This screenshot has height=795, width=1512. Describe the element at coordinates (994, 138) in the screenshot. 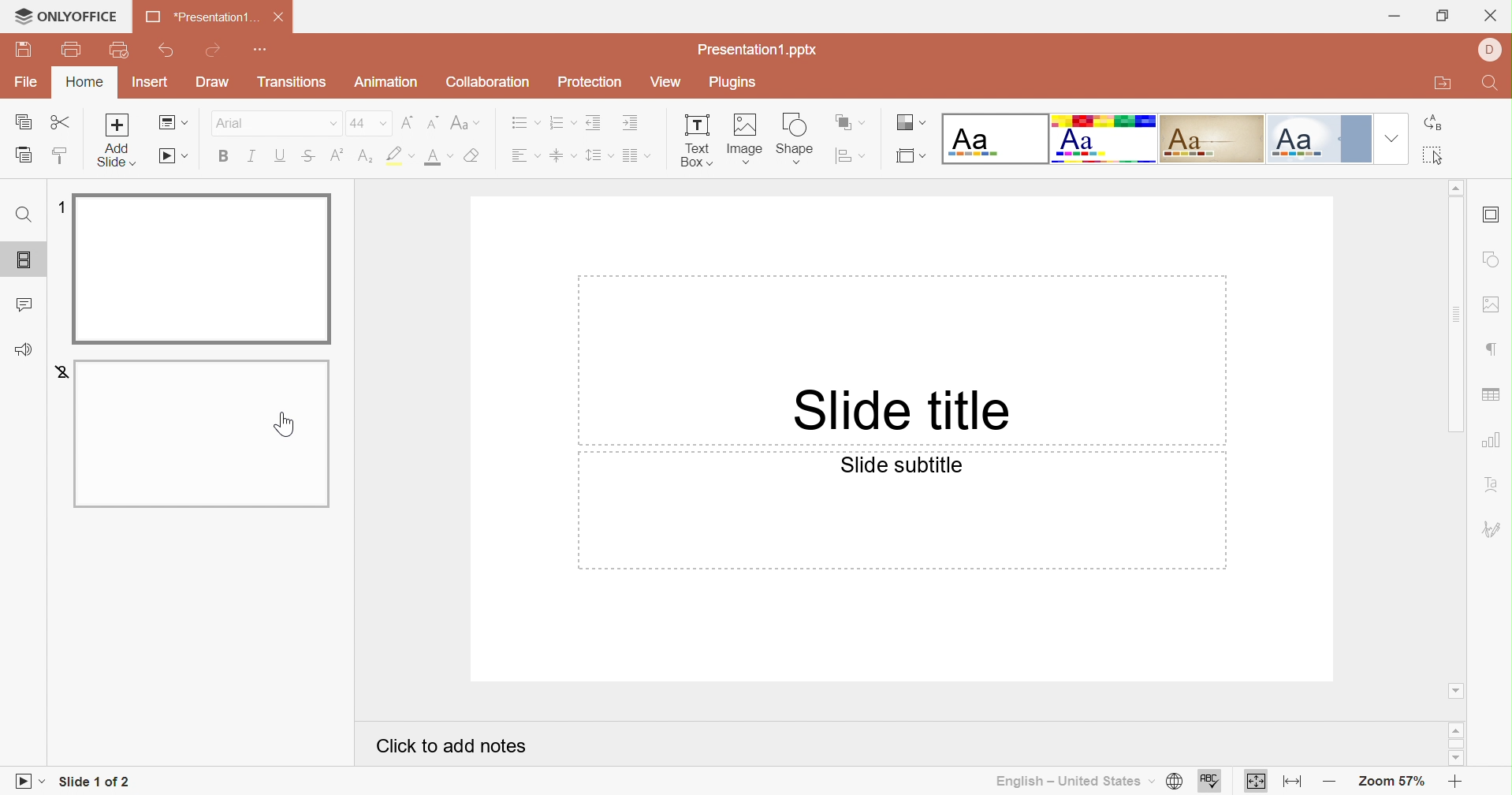

I see `Blank` at that location.